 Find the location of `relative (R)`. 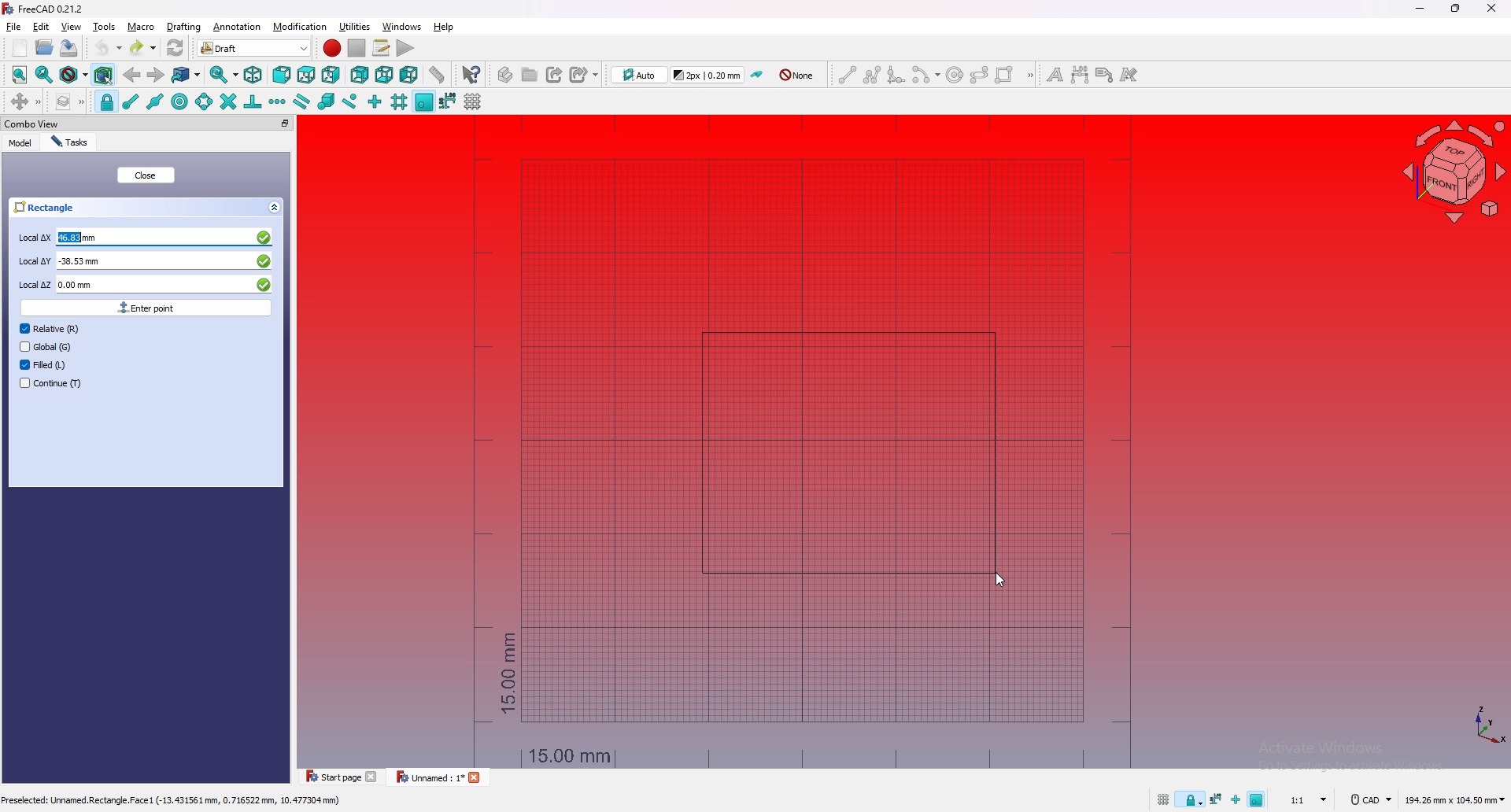

relative (R) is located at coordinates (50, 328).